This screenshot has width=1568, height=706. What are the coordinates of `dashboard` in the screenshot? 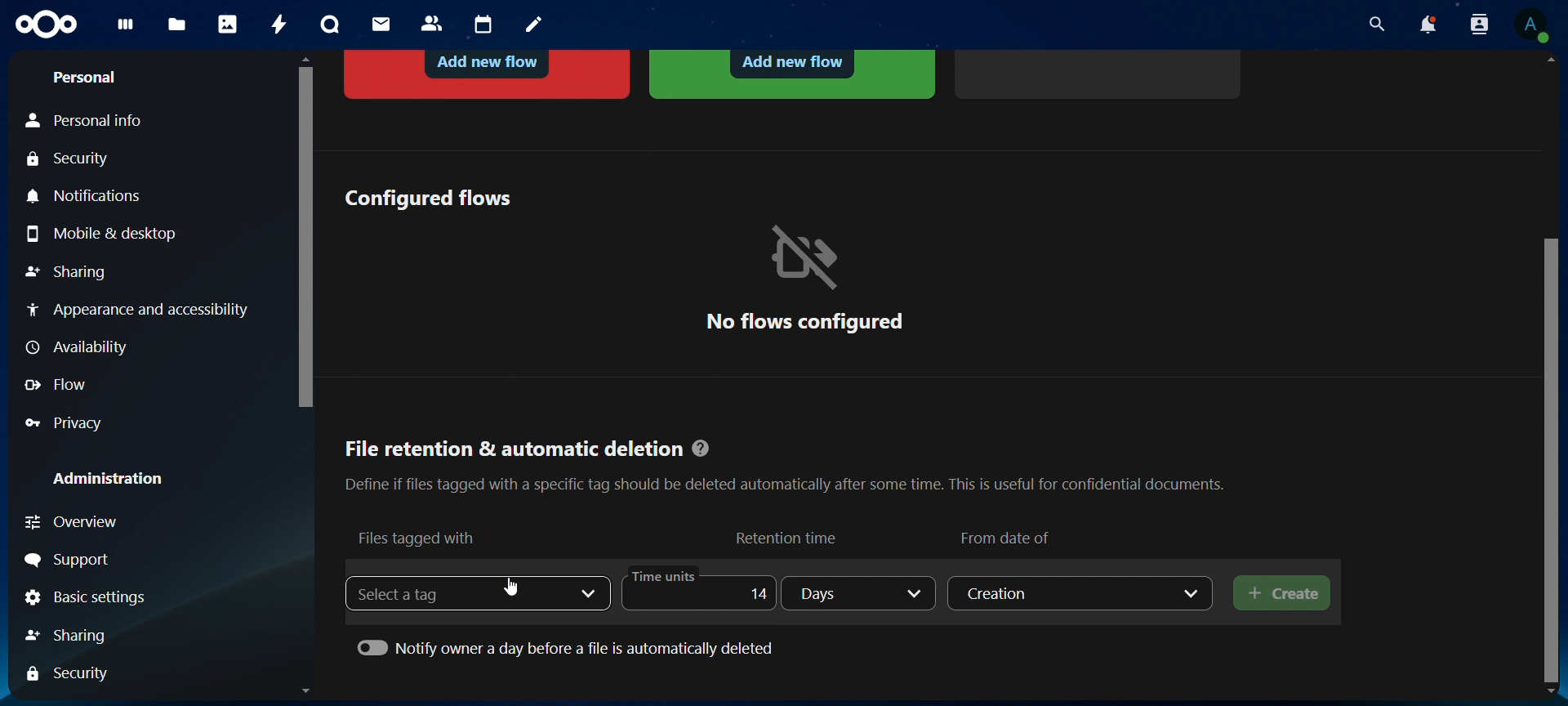 It's located at (127, 29).